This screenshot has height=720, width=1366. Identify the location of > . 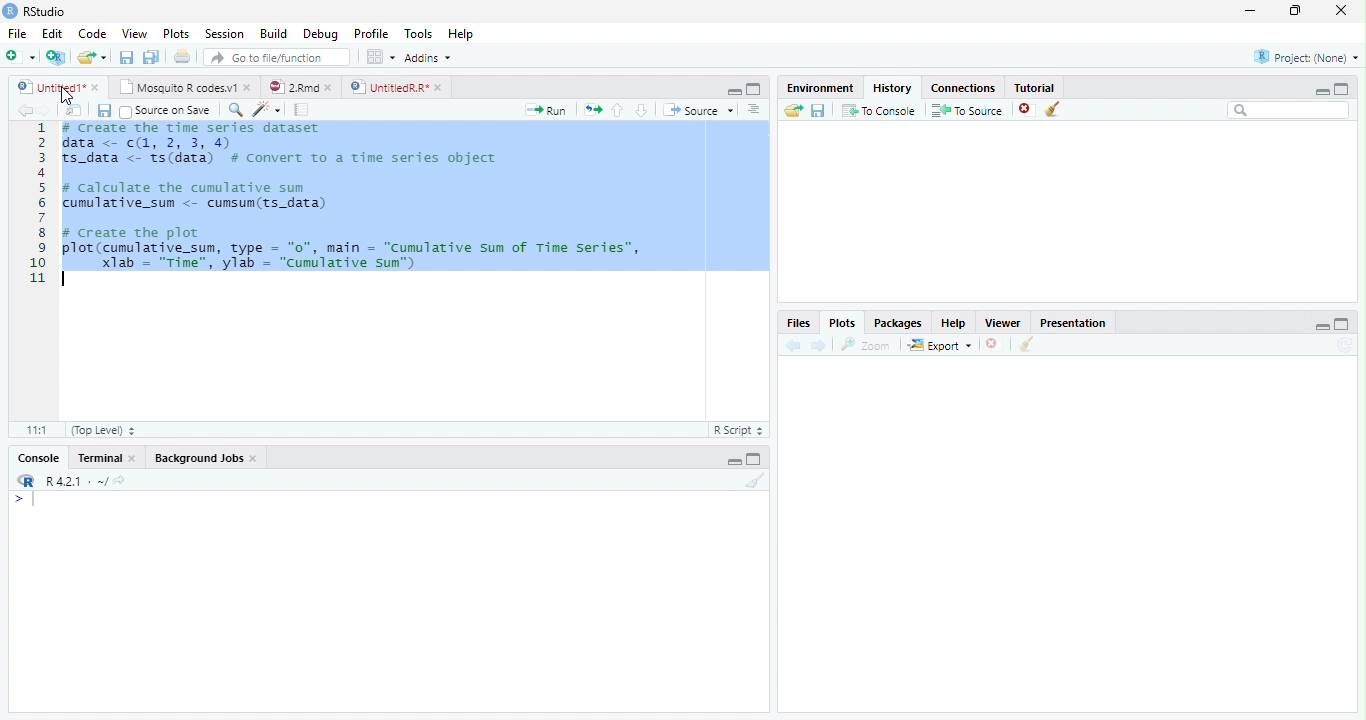
(20, 498).